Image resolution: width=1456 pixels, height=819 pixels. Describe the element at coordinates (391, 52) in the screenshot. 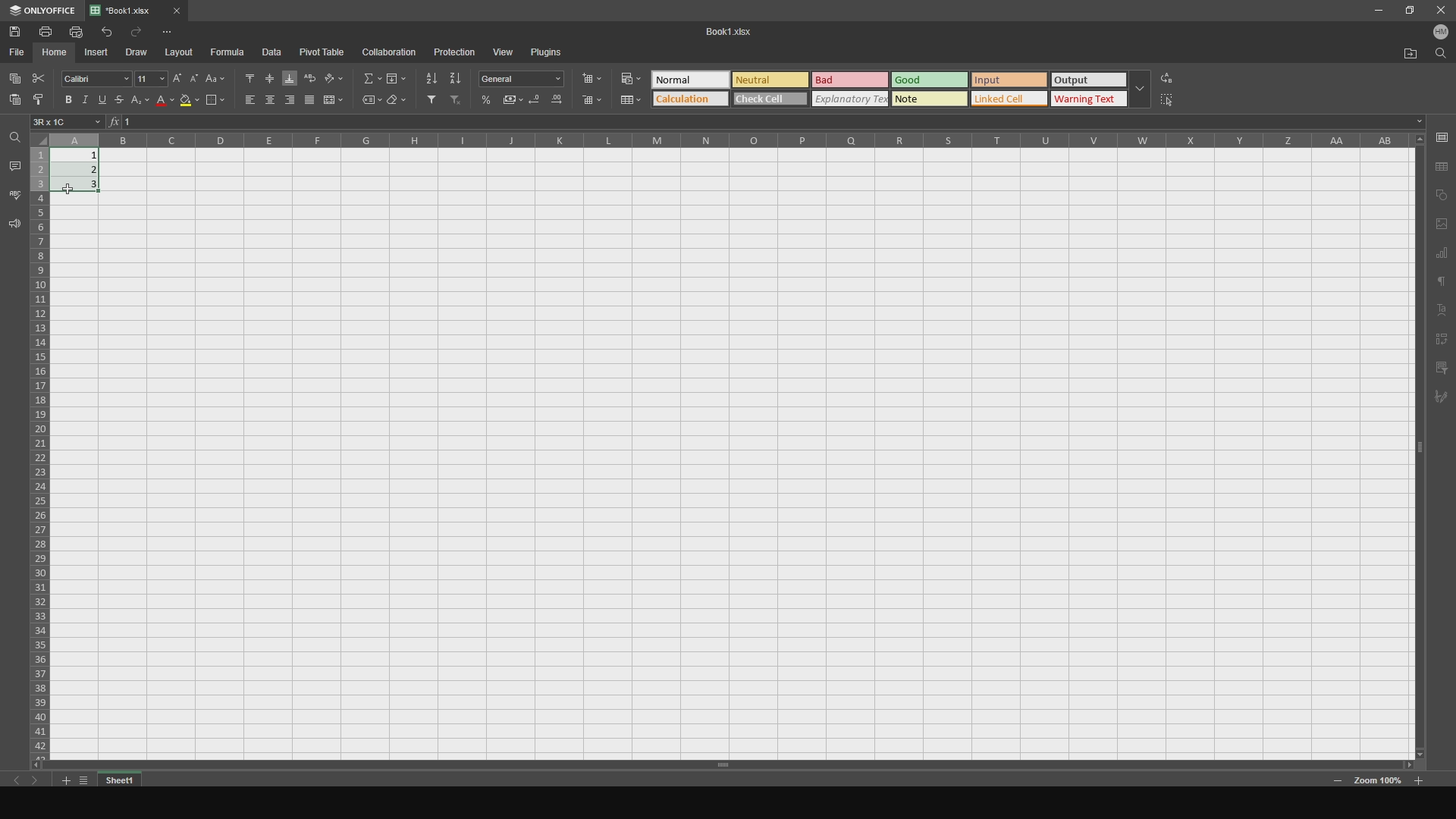

I see `collaboration` at that location.